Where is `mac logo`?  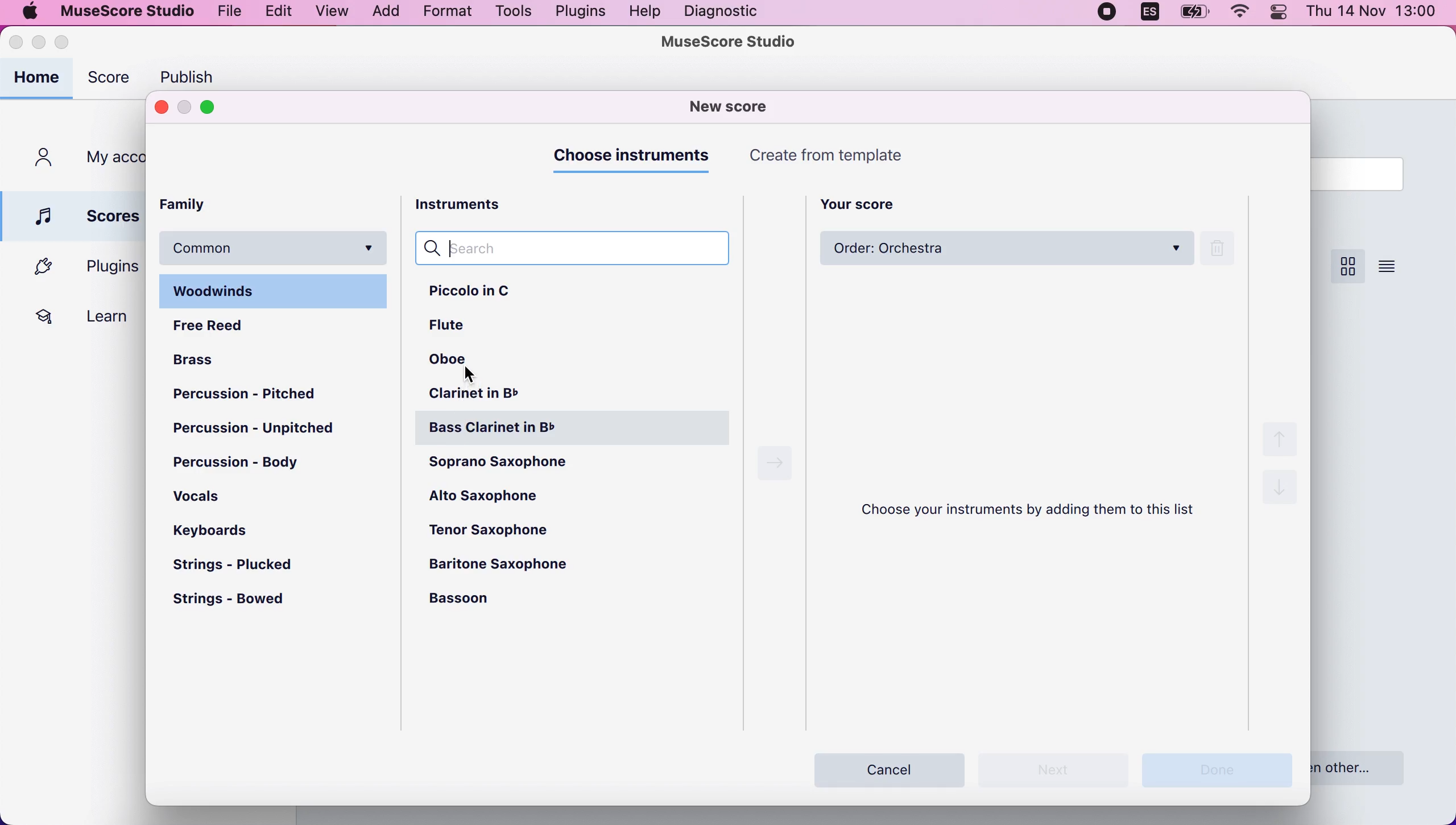
mac logo is located at coordinates (28, 11).